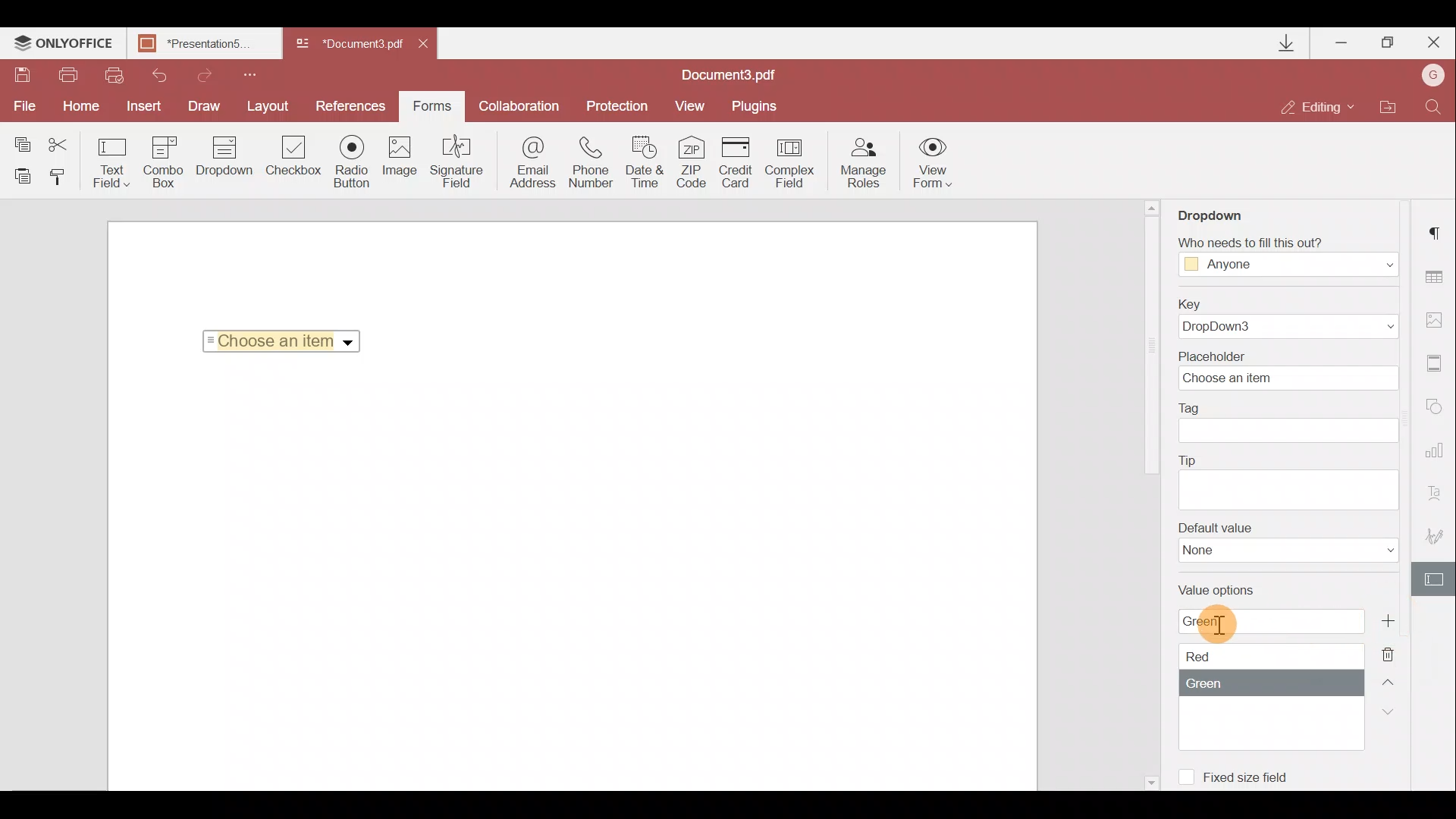 This screenshot has width=1456, height=819. Describe the element at coordinates (63, 180) in the screenshot. I see `Copy style` at that location.